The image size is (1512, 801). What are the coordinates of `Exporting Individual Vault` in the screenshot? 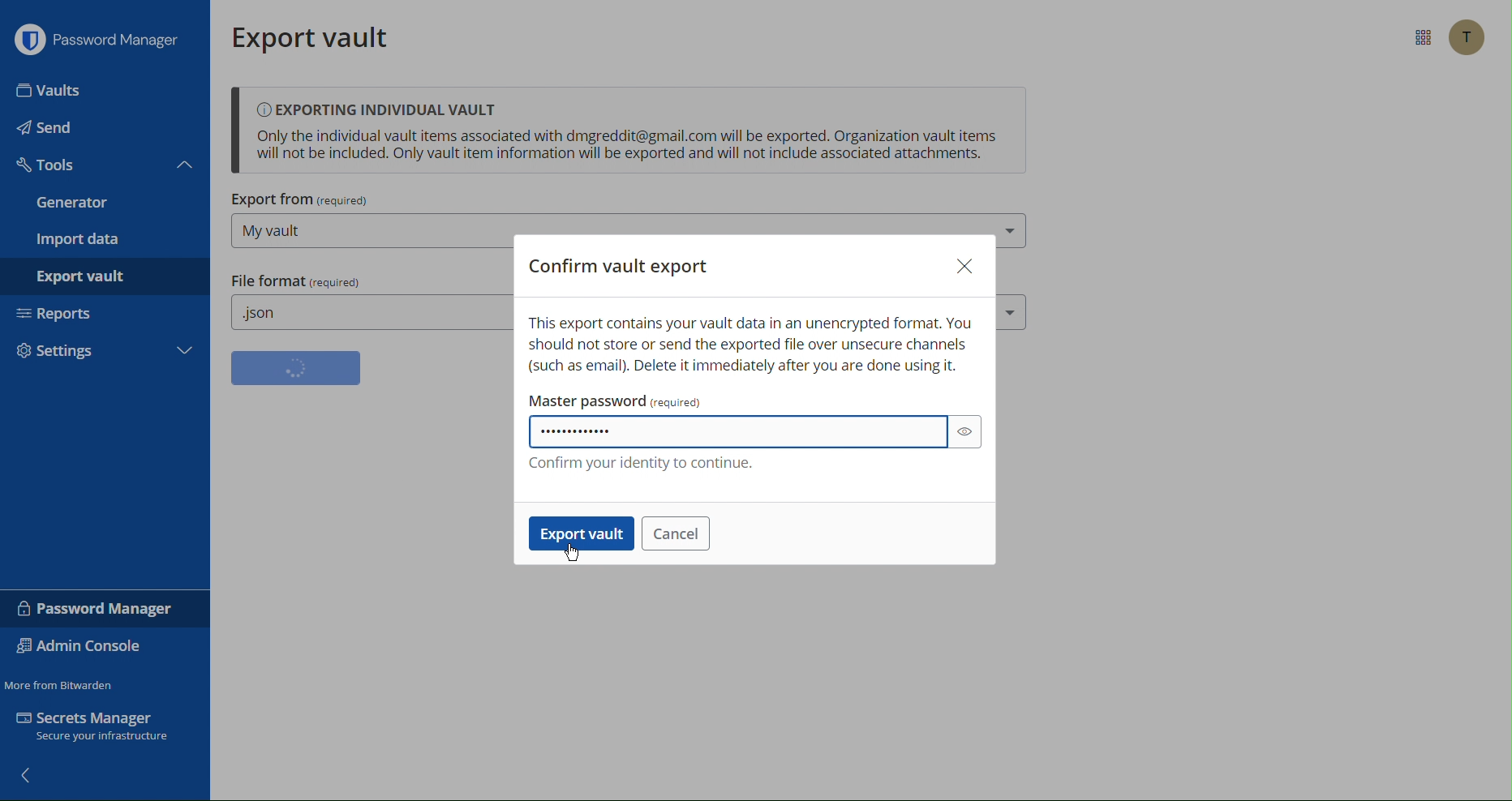 It's located at (628, 132).